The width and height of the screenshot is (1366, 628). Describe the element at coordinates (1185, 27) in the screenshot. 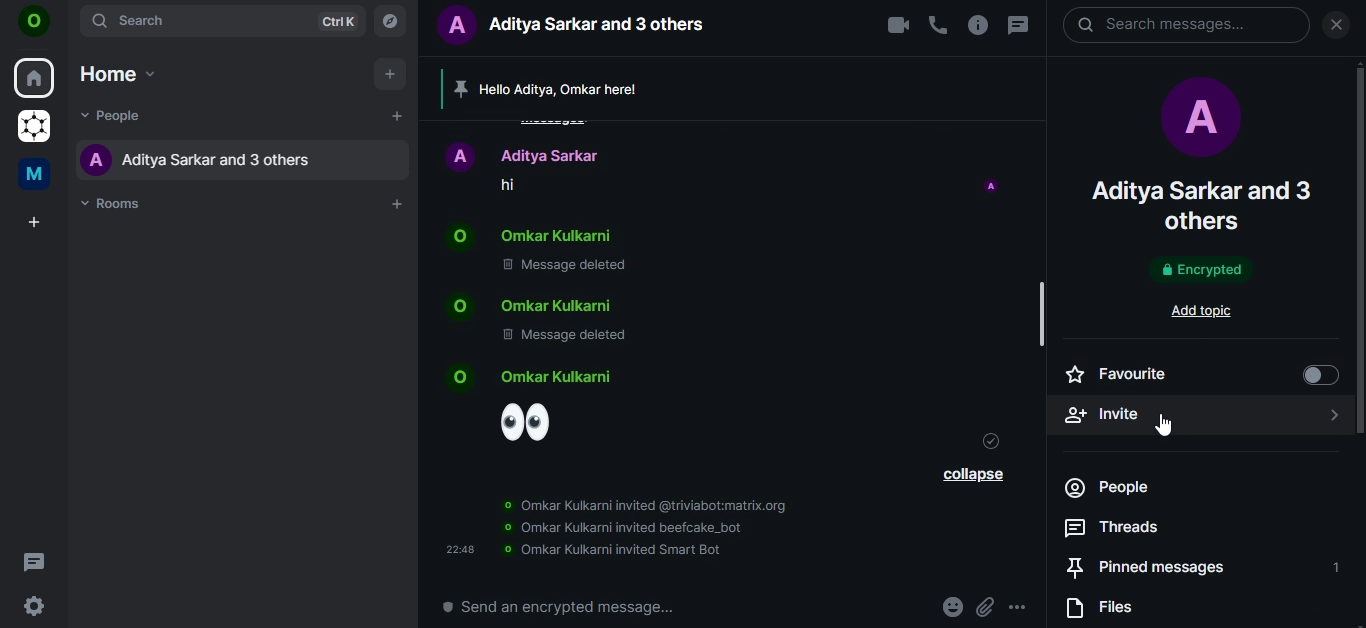

I see `search messages` at that location.